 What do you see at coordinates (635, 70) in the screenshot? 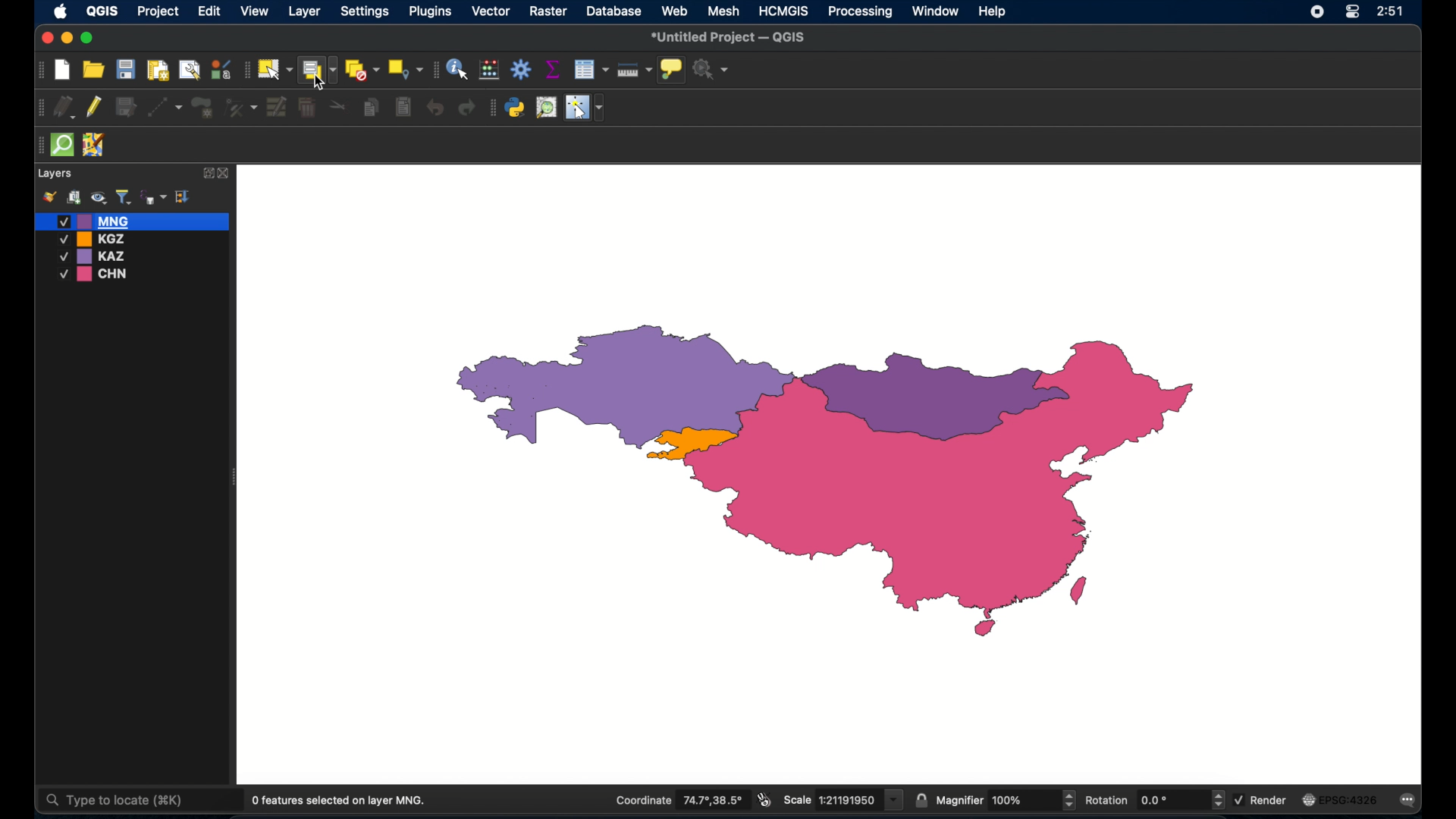
I see `measure line` at bounding box center [635, 70].